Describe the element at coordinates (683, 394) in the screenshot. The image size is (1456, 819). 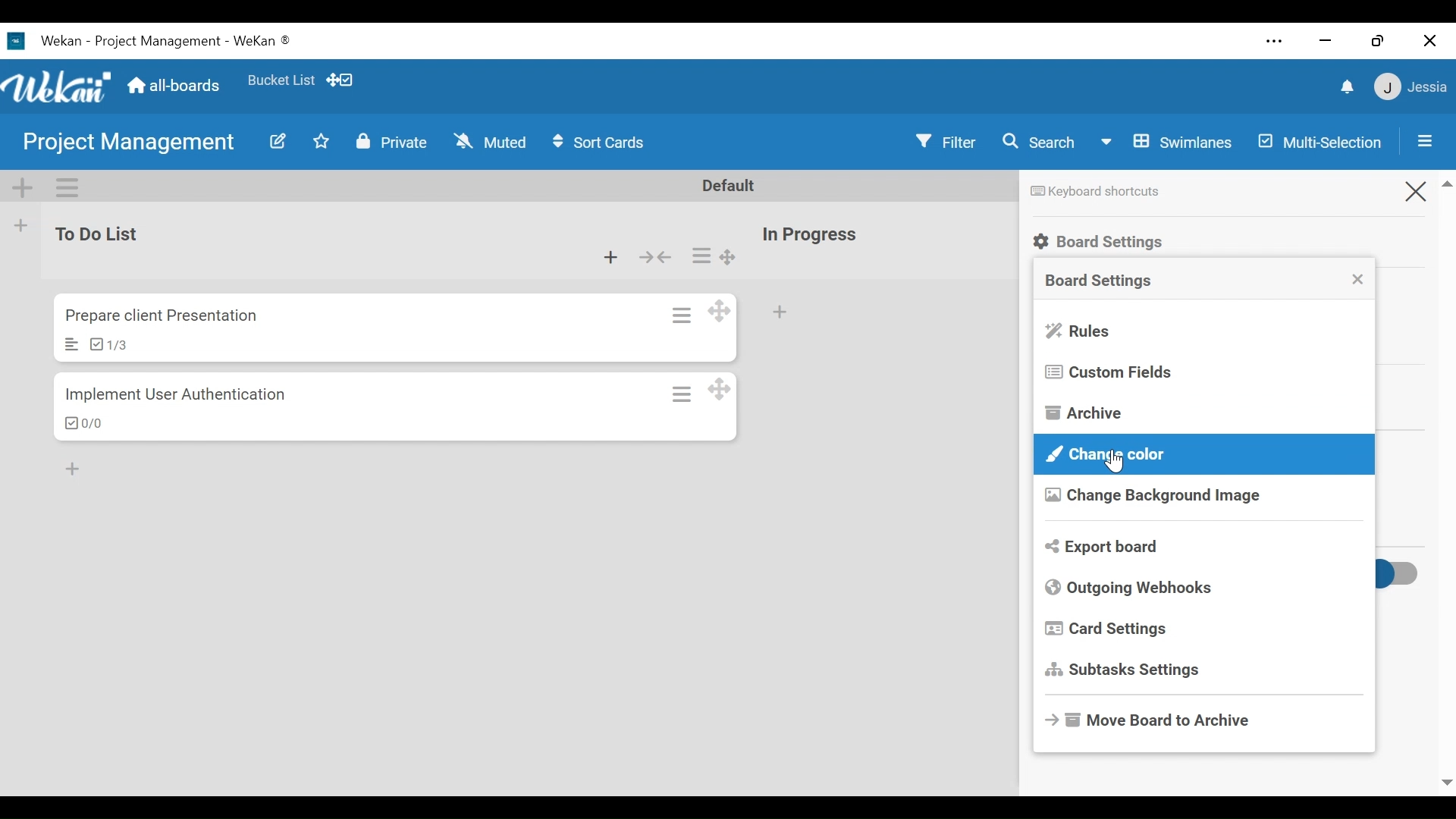
I see `Card actions` at that location.